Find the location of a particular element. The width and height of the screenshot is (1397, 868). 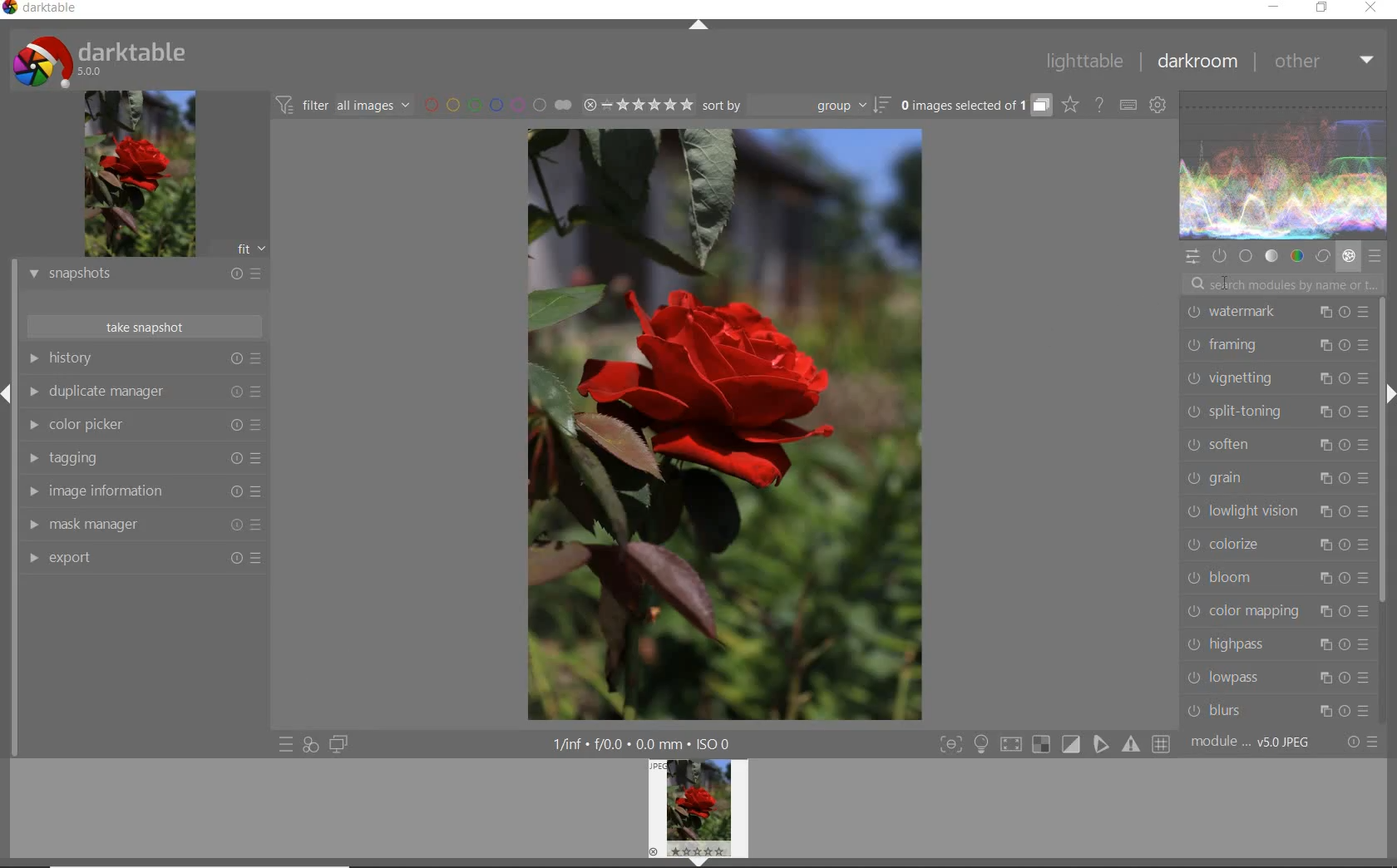

color mapping is located at coordinates (1275, 614).